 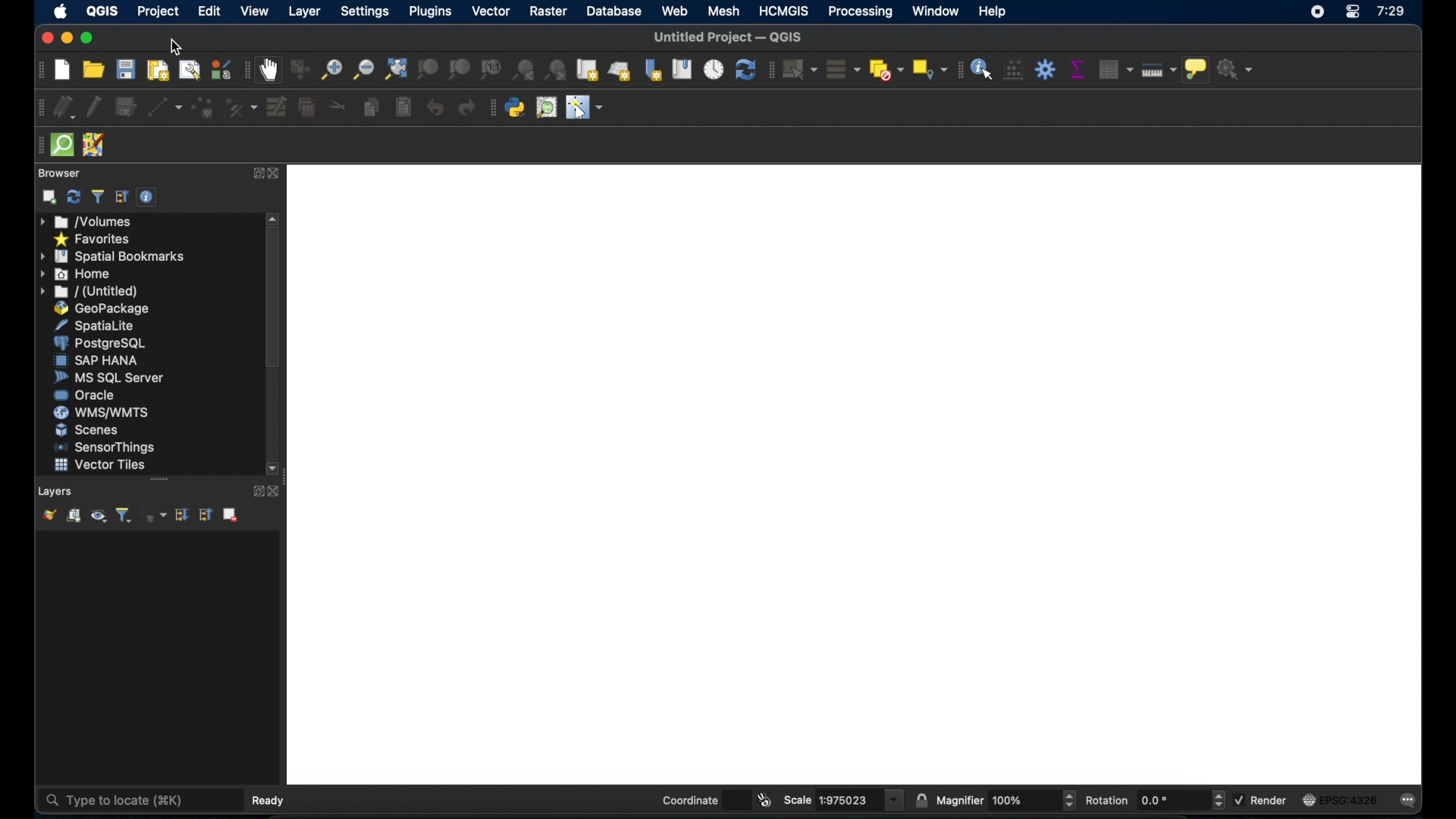 I want to click on zoom last, so click(x=557, y=69).